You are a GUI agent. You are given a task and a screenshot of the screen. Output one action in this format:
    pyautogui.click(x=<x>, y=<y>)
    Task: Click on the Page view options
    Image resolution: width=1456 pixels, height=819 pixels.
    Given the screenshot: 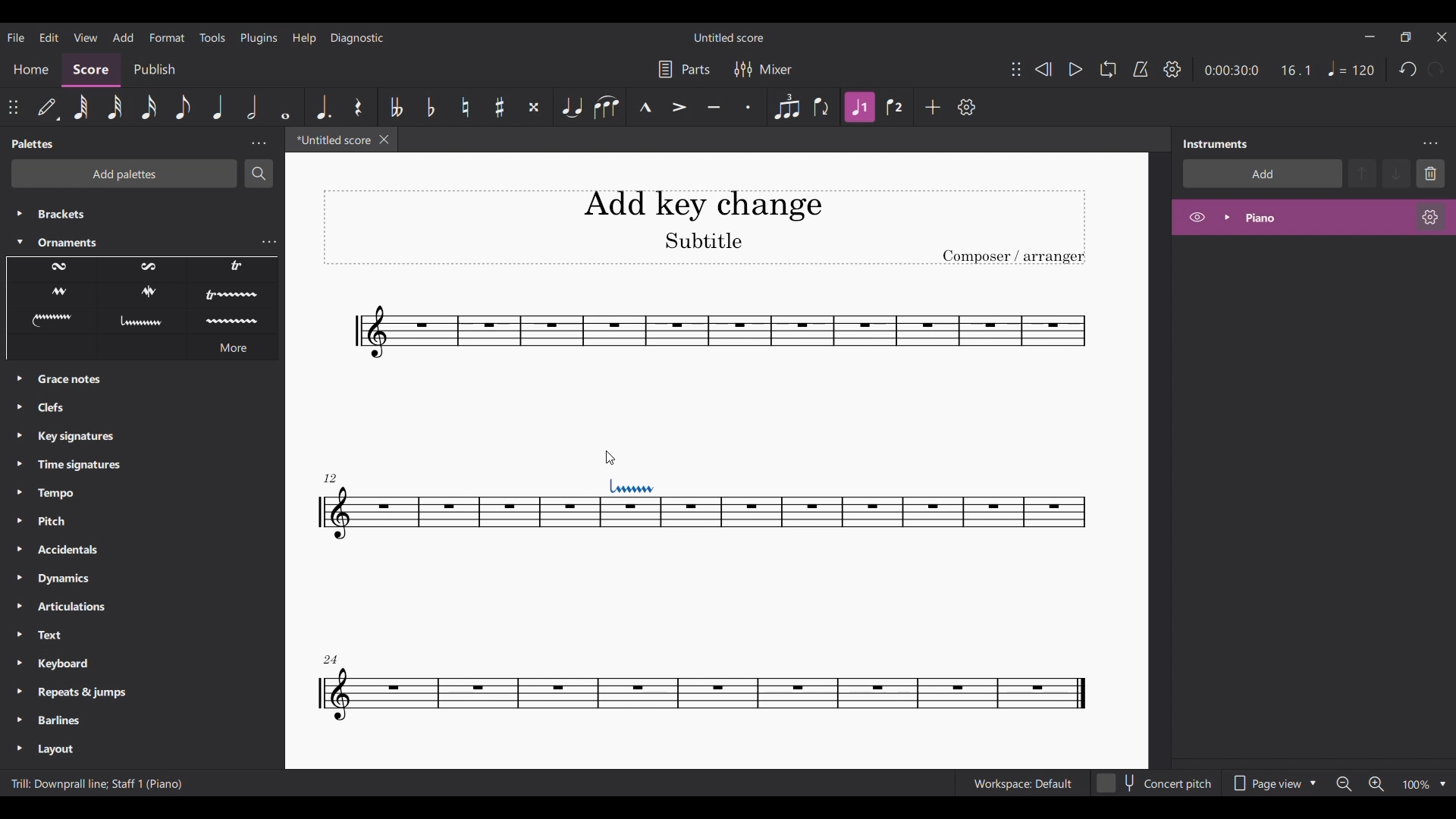 What is the action you would take?
    pyautogui.click(x=1273, y=783)
    